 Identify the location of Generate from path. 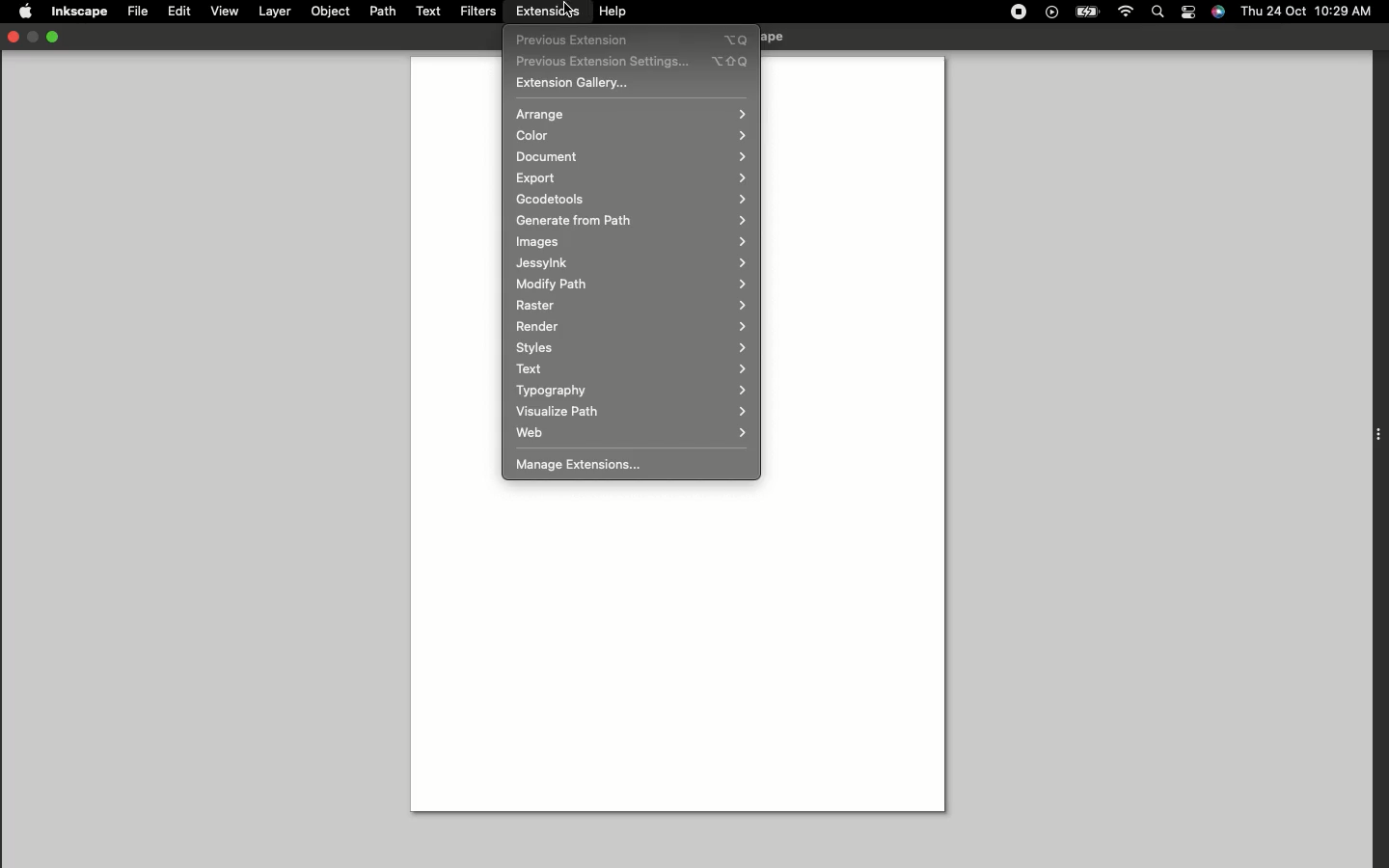
(633, 220).